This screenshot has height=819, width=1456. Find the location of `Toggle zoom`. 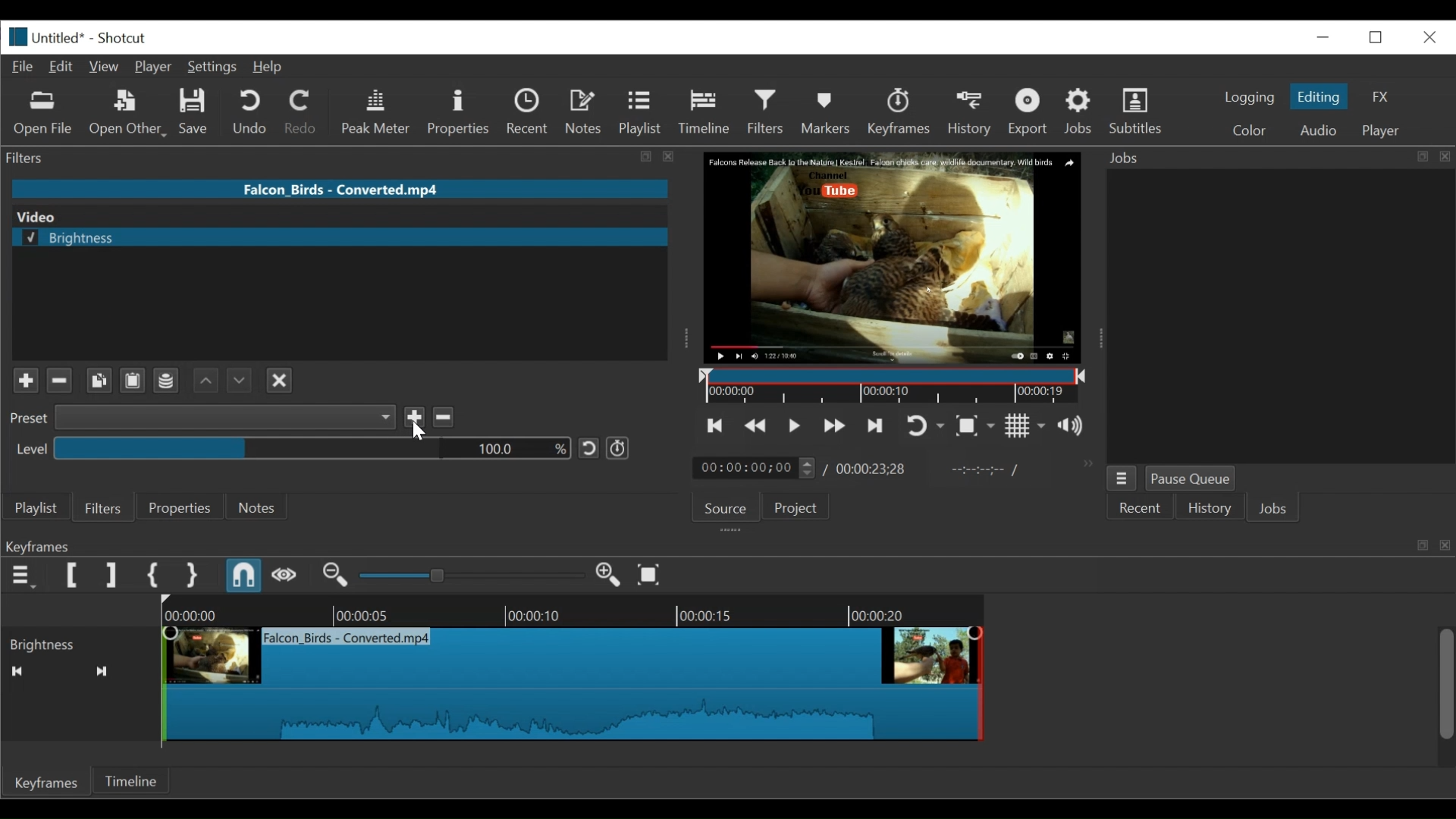

Toggle zoom is located at coordinates (977, 426).